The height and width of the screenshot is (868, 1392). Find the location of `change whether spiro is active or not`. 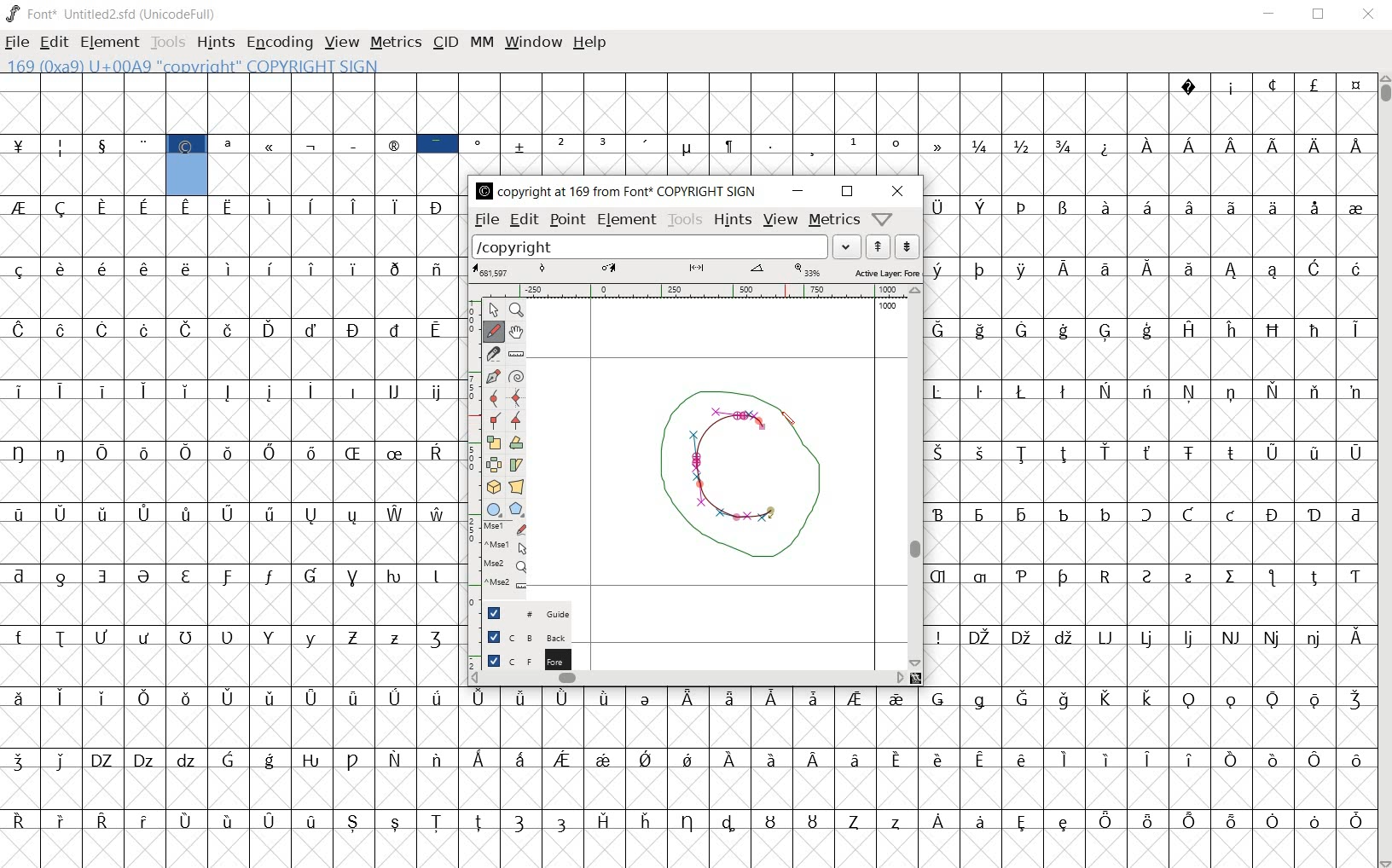

change whether spiro is active or not is located at coordinates (517, 376).